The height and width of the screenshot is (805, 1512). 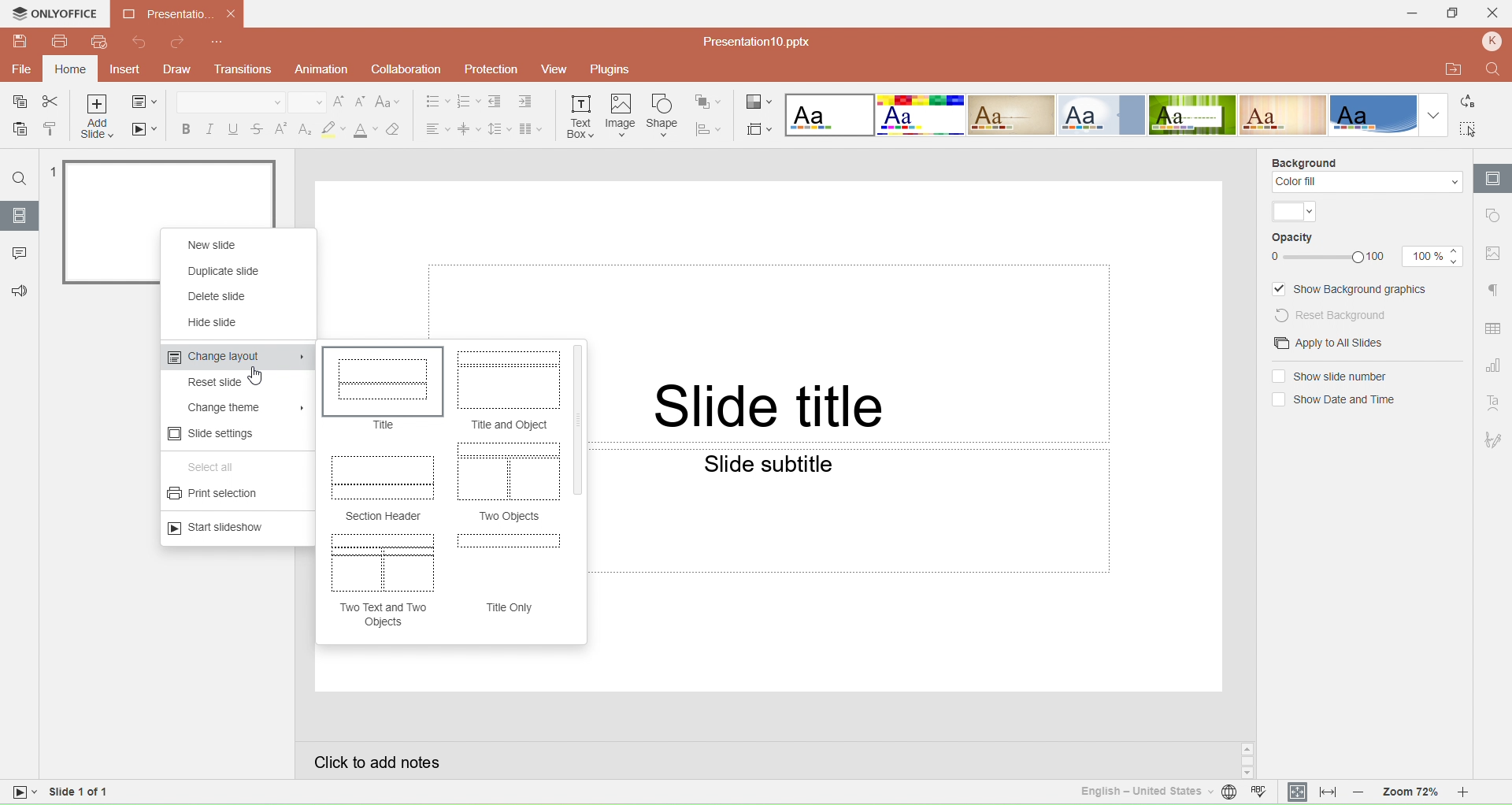 What do you see at coordinates (432, 102) in the screenshot?
I see `Bullets` at bounding box center [432, 102].